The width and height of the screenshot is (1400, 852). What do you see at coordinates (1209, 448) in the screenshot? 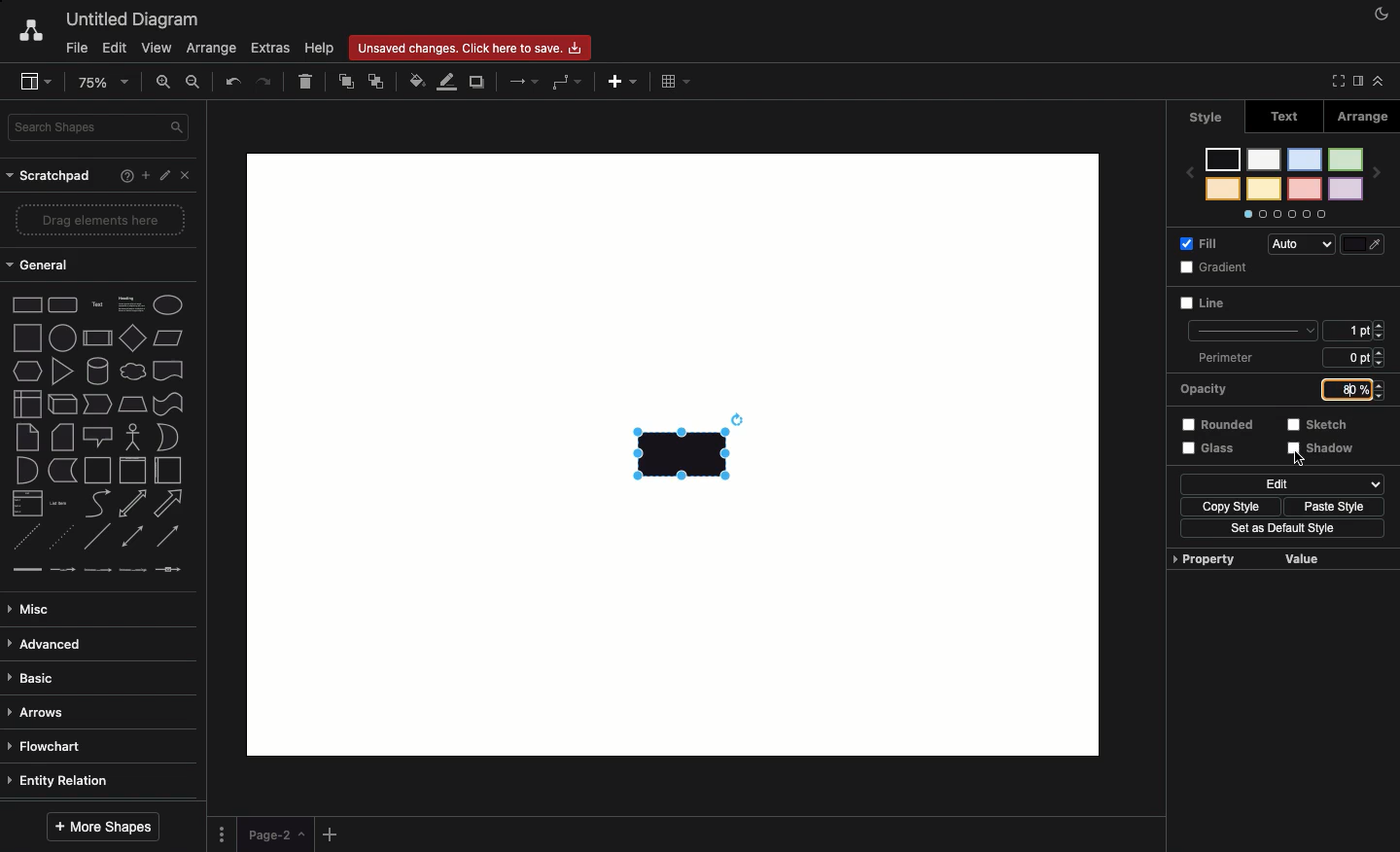
I see `Glass` at bounding box center [1209, 448].